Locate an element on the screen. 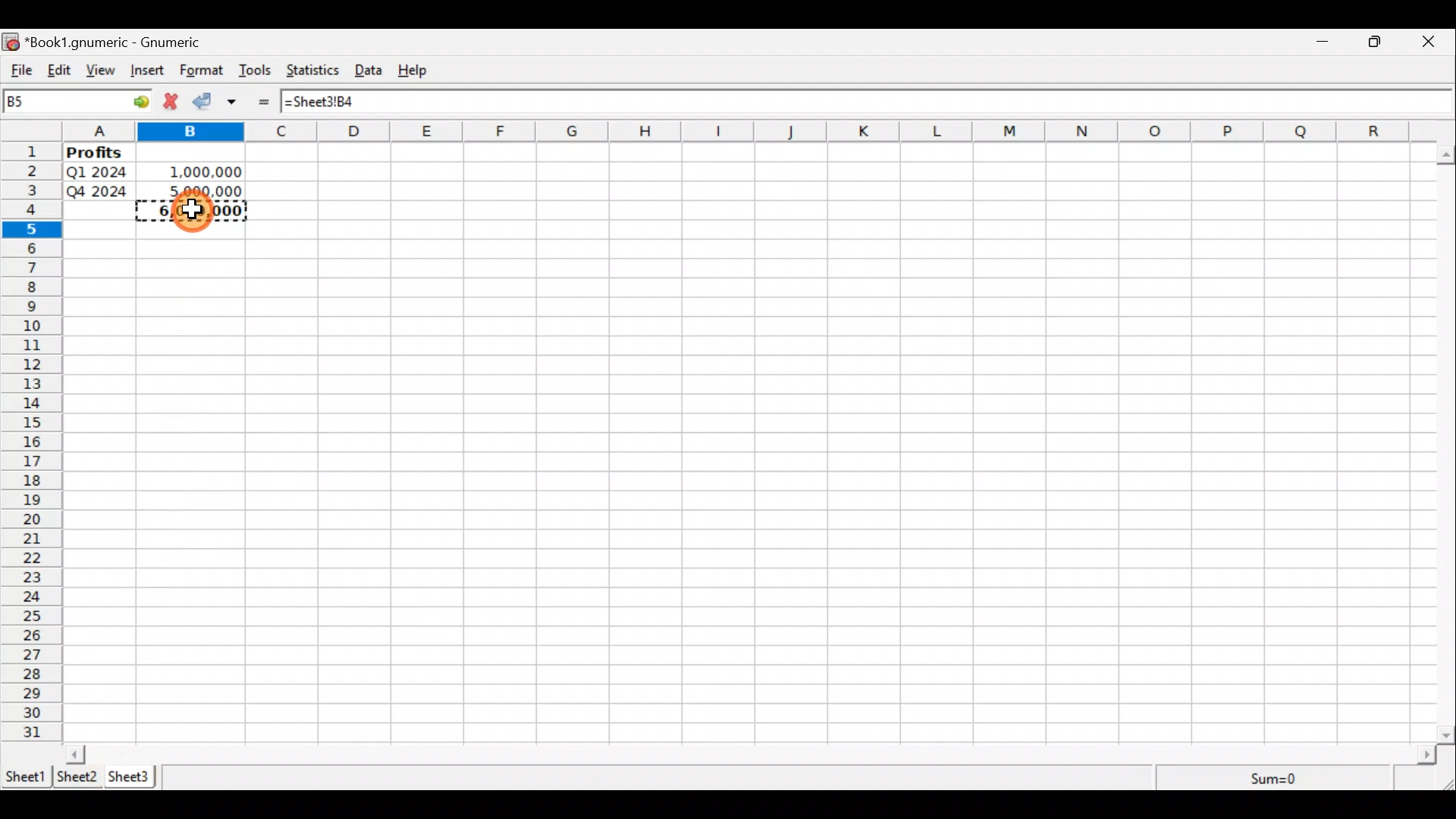 This screenshot has height=819, width=1456. Enter formula is located at coordinates (269, 102).